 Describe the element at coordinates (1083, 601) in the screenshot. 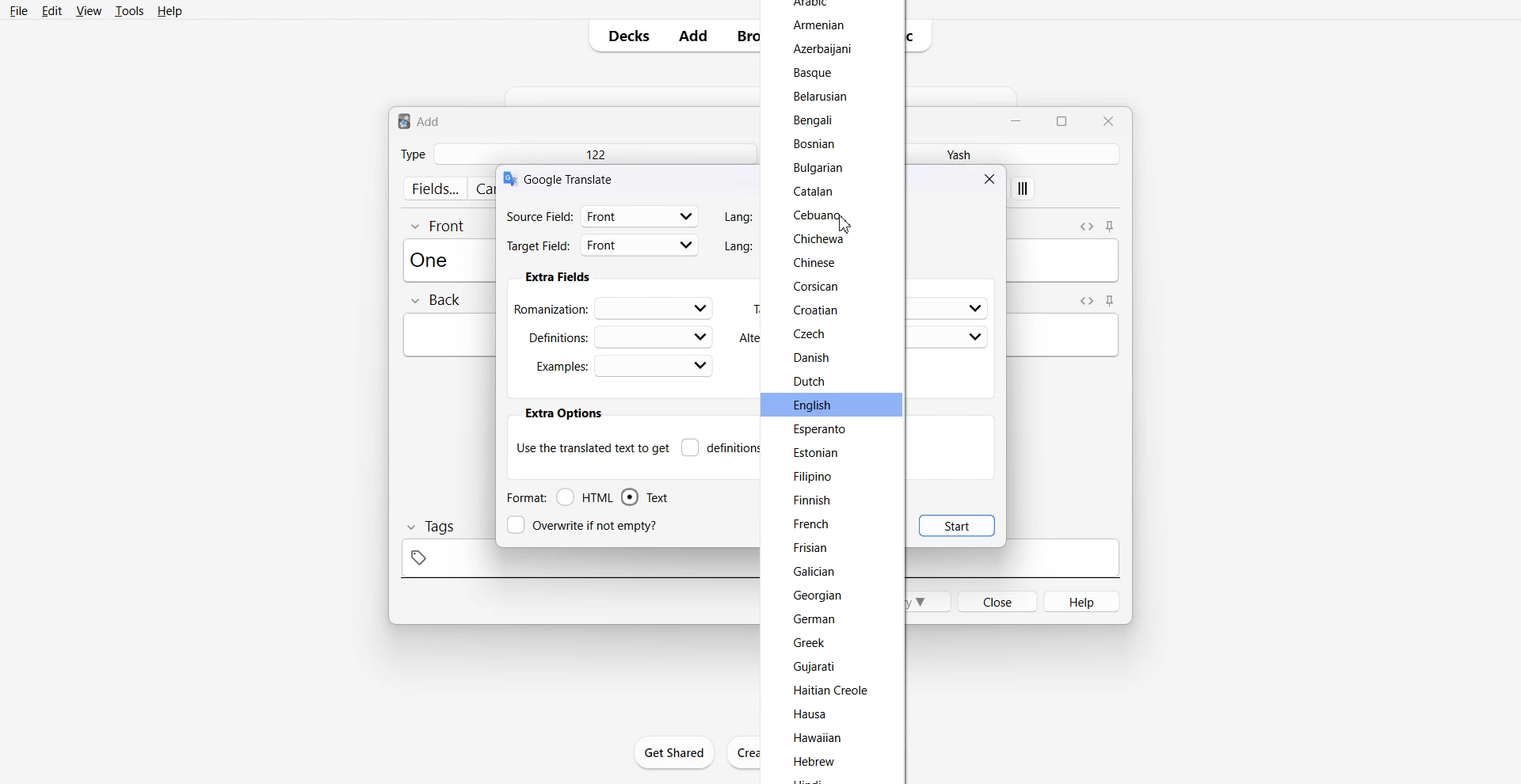

I see `Help` at that location.